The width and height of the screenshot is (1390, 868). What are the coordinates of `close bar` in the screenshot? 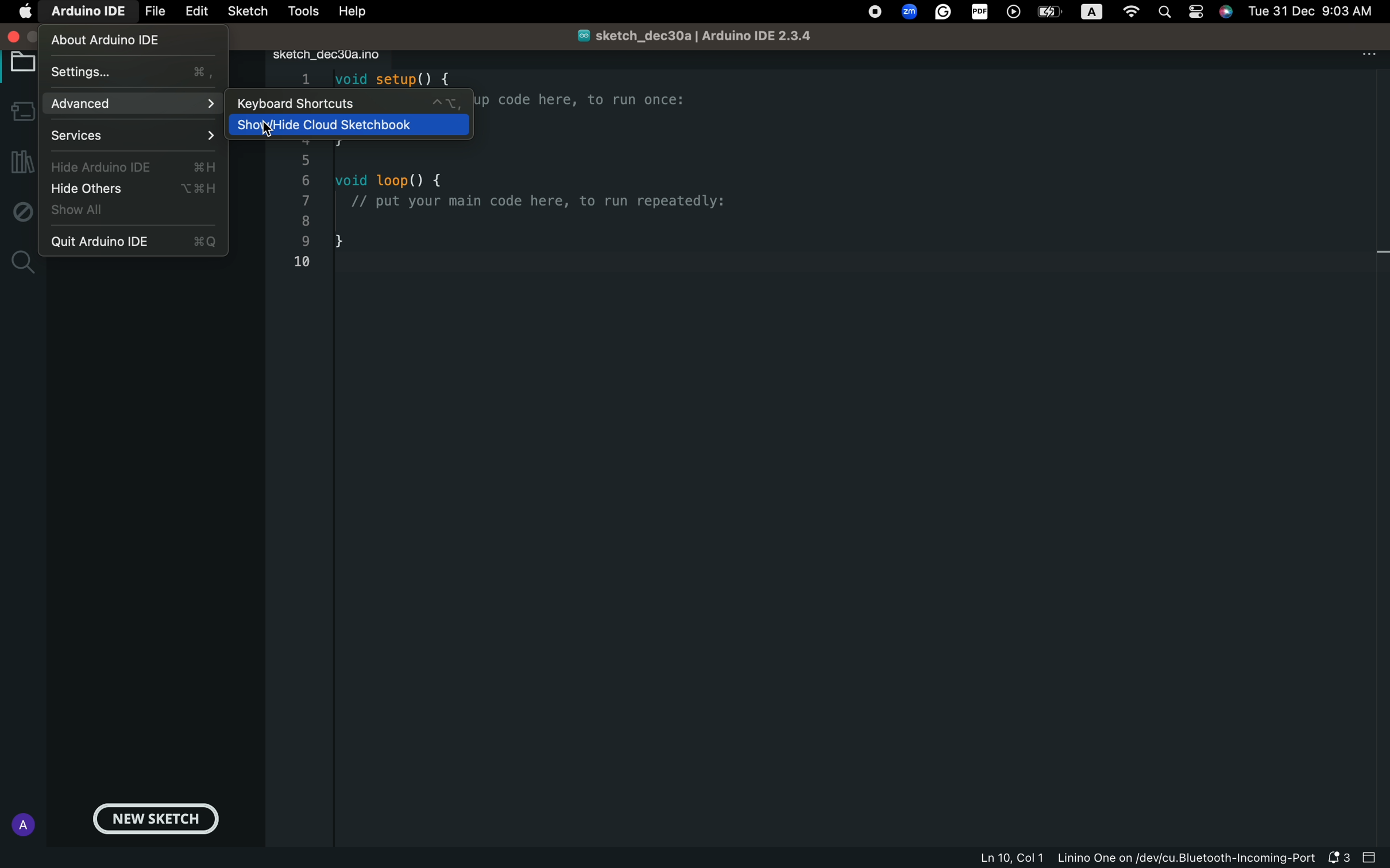 It's located at (1371, 858).